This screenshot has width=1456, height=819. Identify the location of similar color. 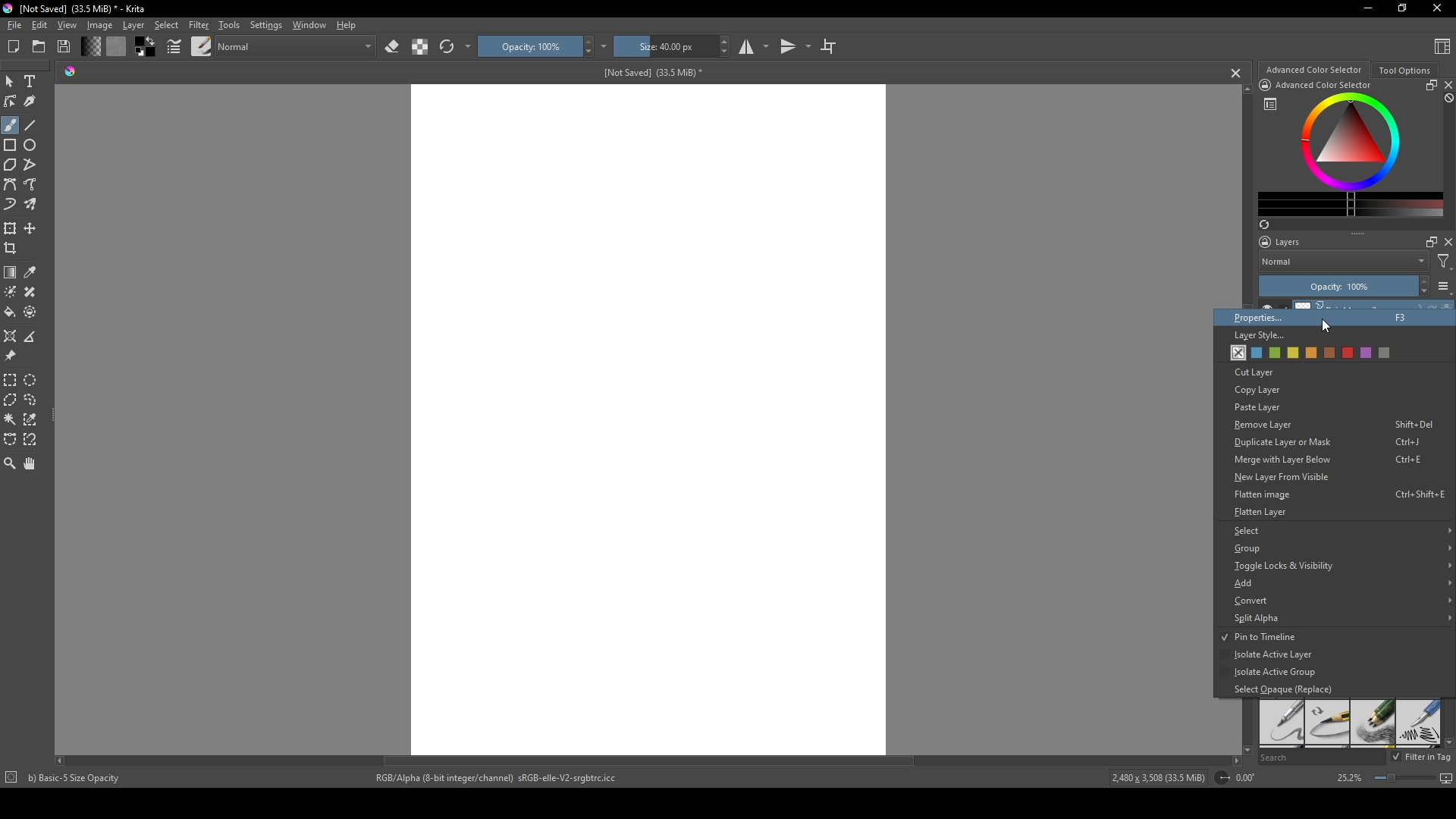
(33, 419).